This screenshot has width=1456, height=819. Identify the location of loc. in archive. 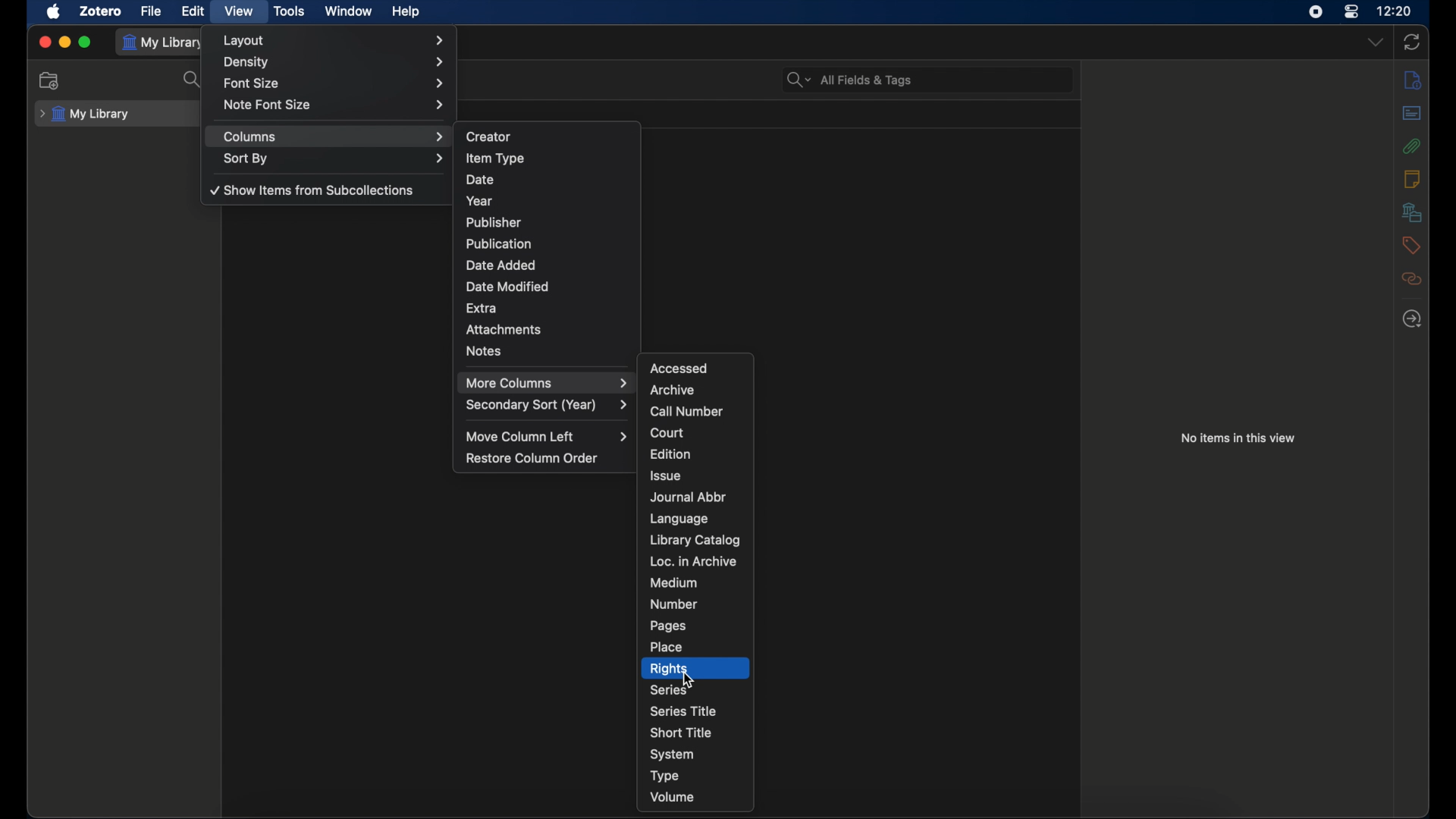
(695, 561).